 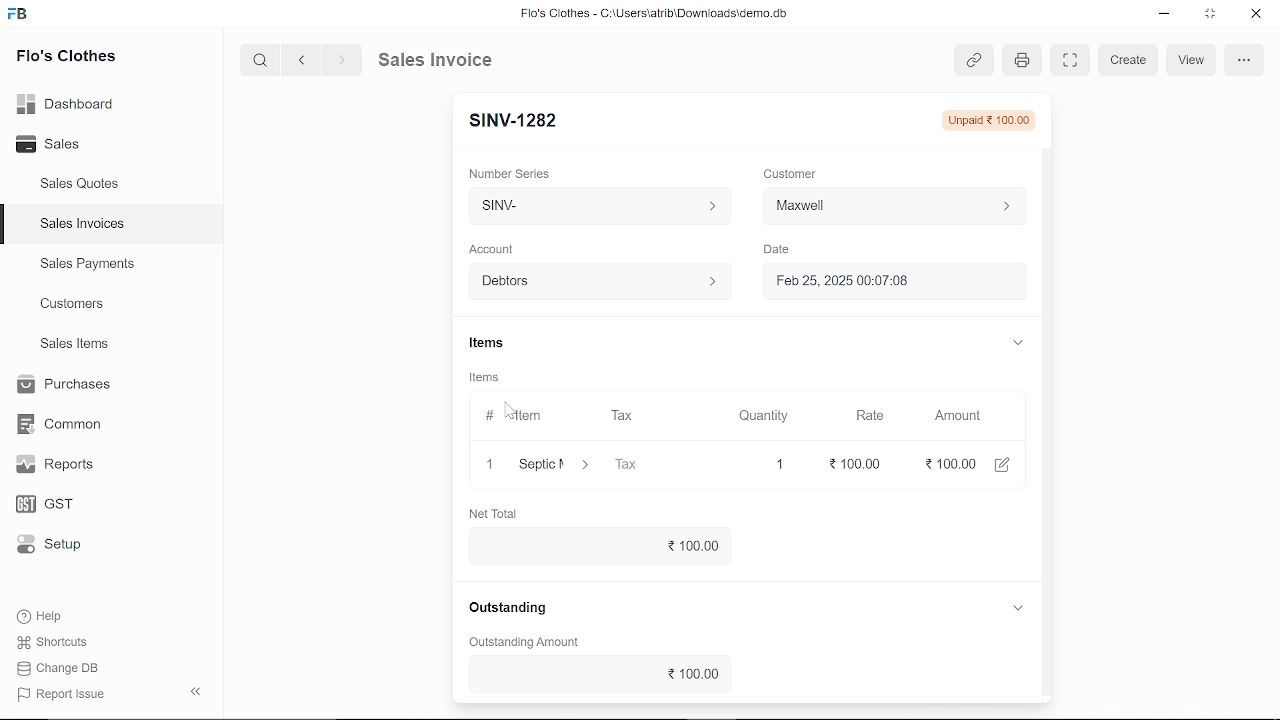 What do you see at coordinates (54, 544) in the screenshot?
I see `Setup` at bounding box center [54, 544].